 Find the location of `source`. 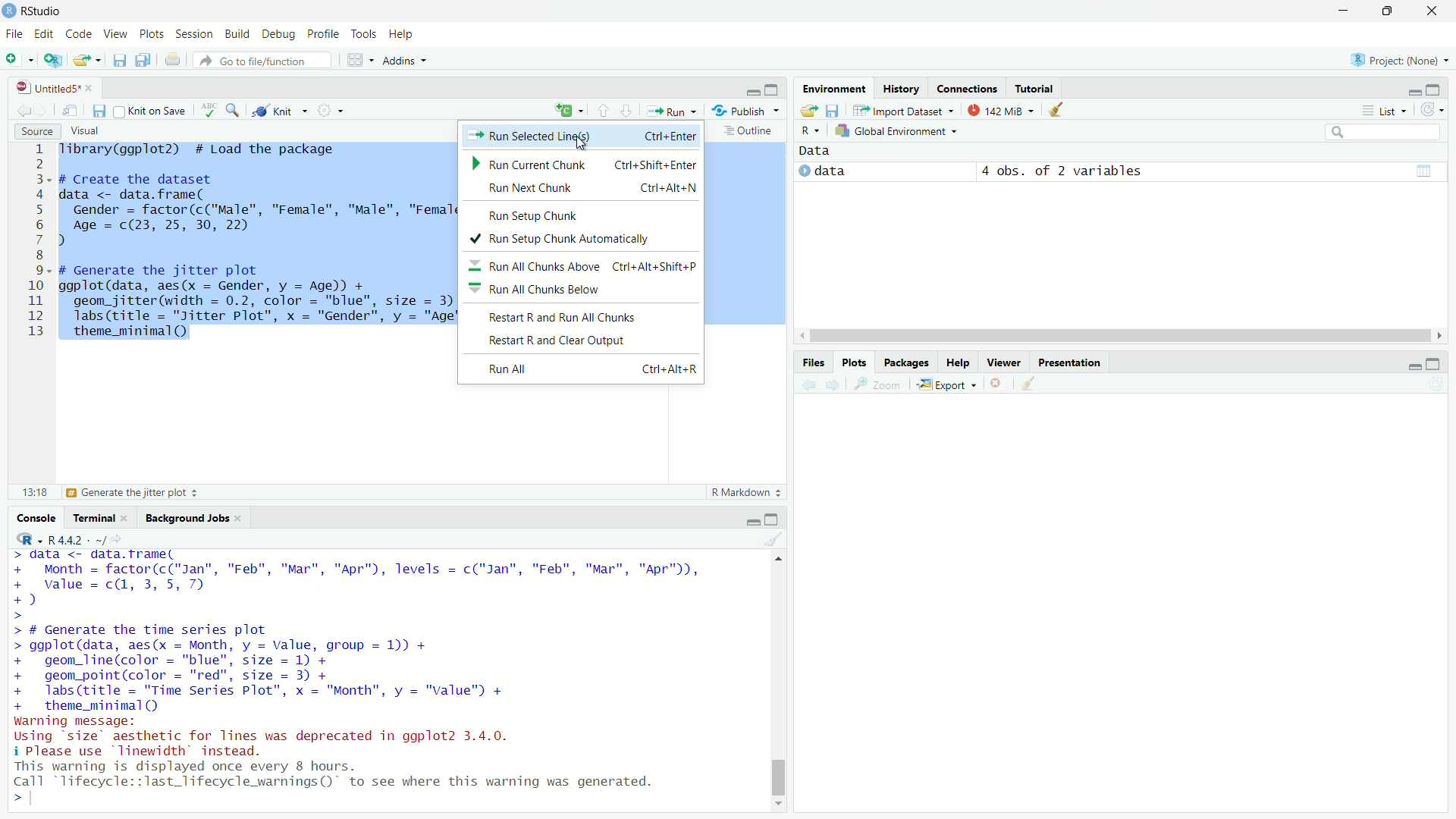

source is located at coordinates (30, 130).